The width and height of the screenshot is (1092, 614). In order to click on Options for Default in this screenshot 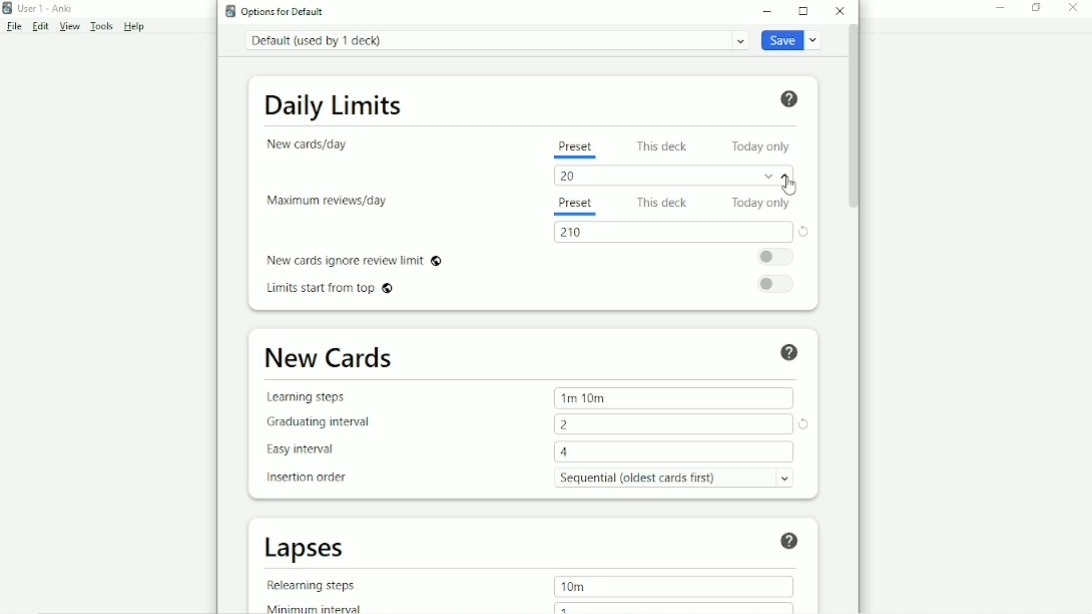, I will do `click(276, 11)`.